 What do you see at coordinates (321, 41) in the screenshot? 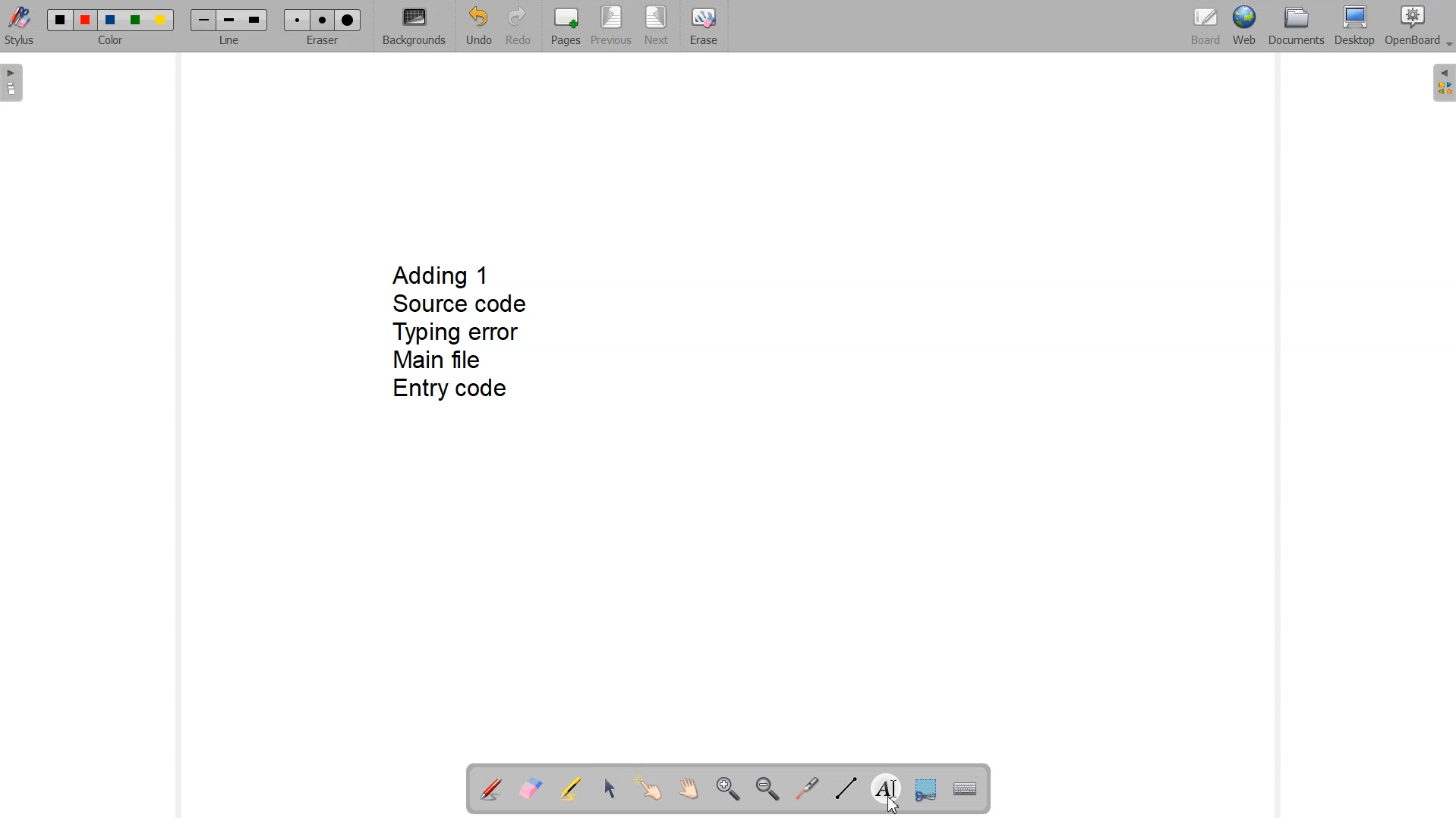
I see `Eraser` at bounding box center [321, 41].